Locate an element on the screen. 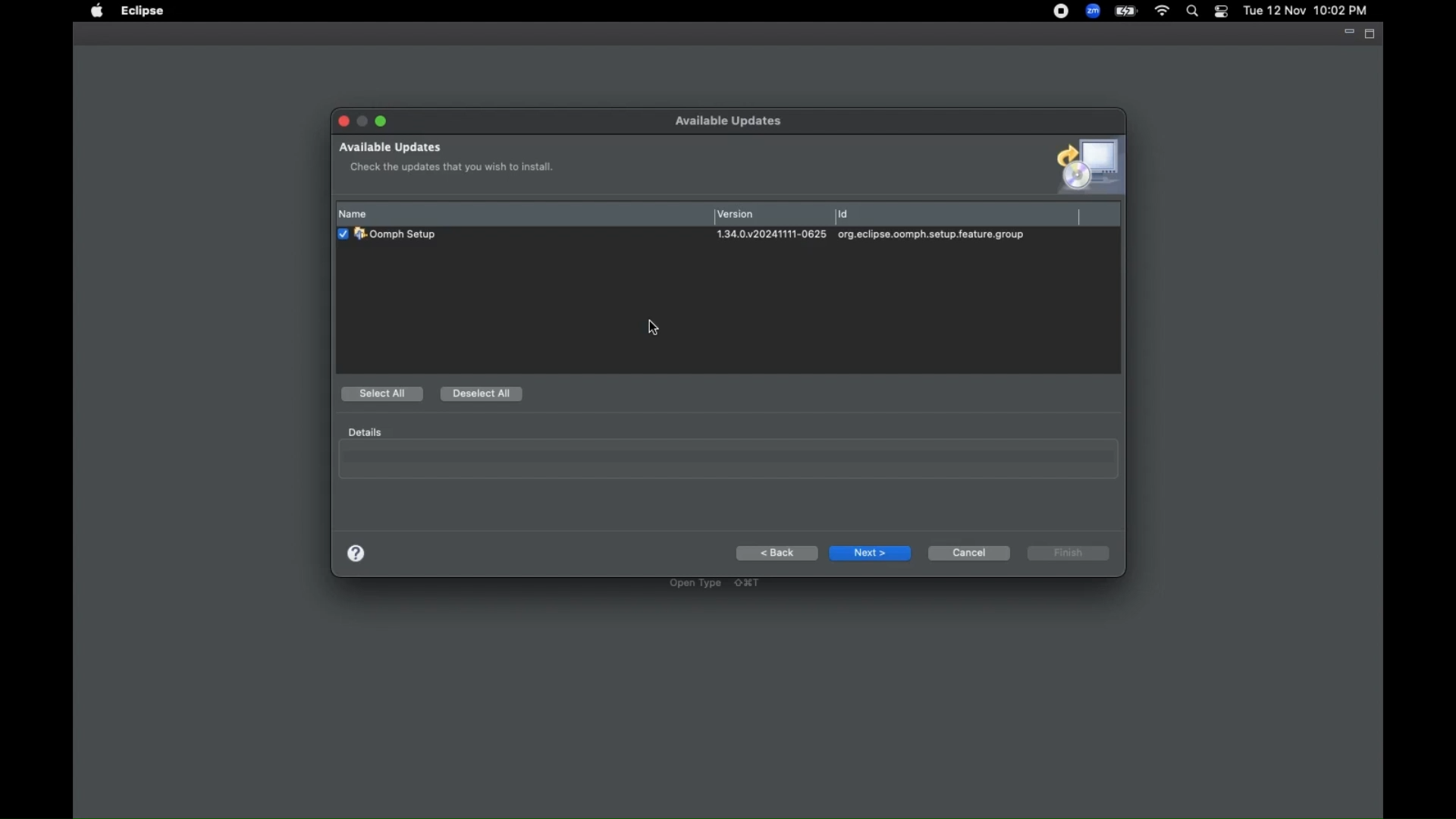 This screenshot has height=819, width=1456. Apple Desktop Icon is located at coordinates (97, 12).